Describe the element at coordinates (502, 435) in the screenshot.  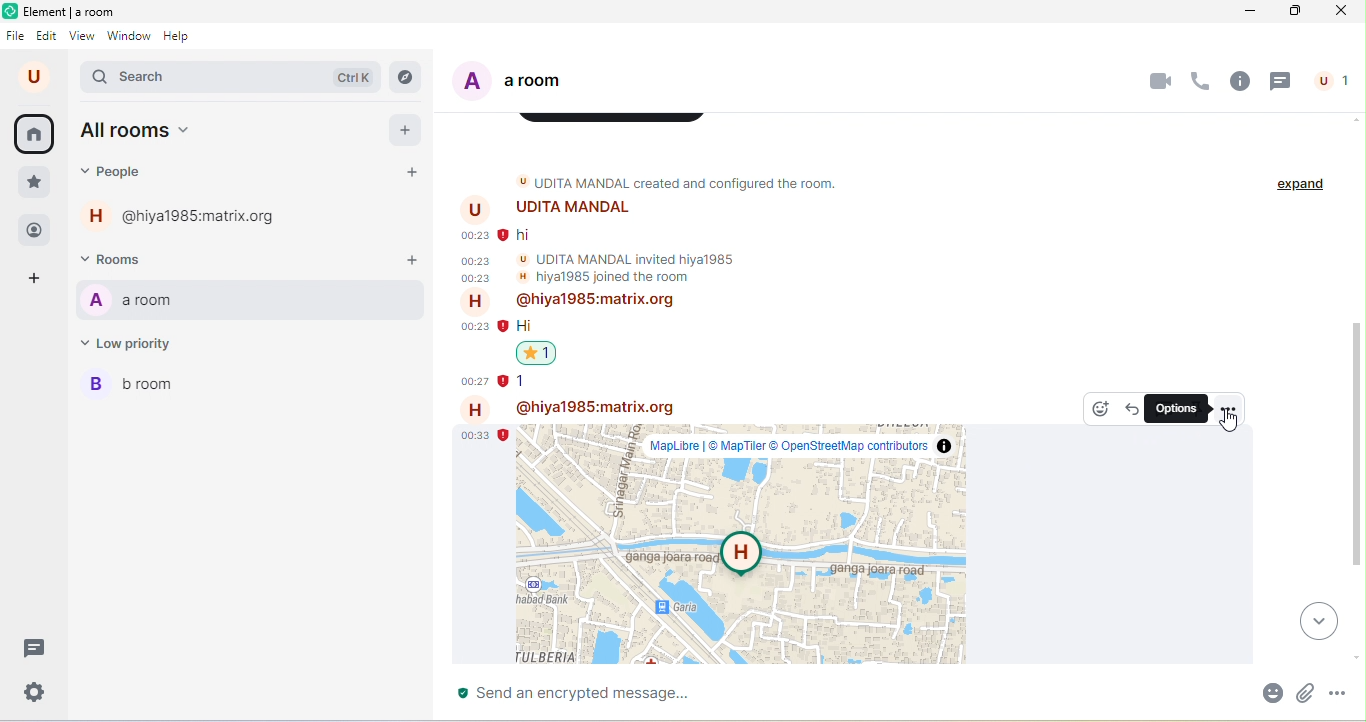
I see `error message` at that location.